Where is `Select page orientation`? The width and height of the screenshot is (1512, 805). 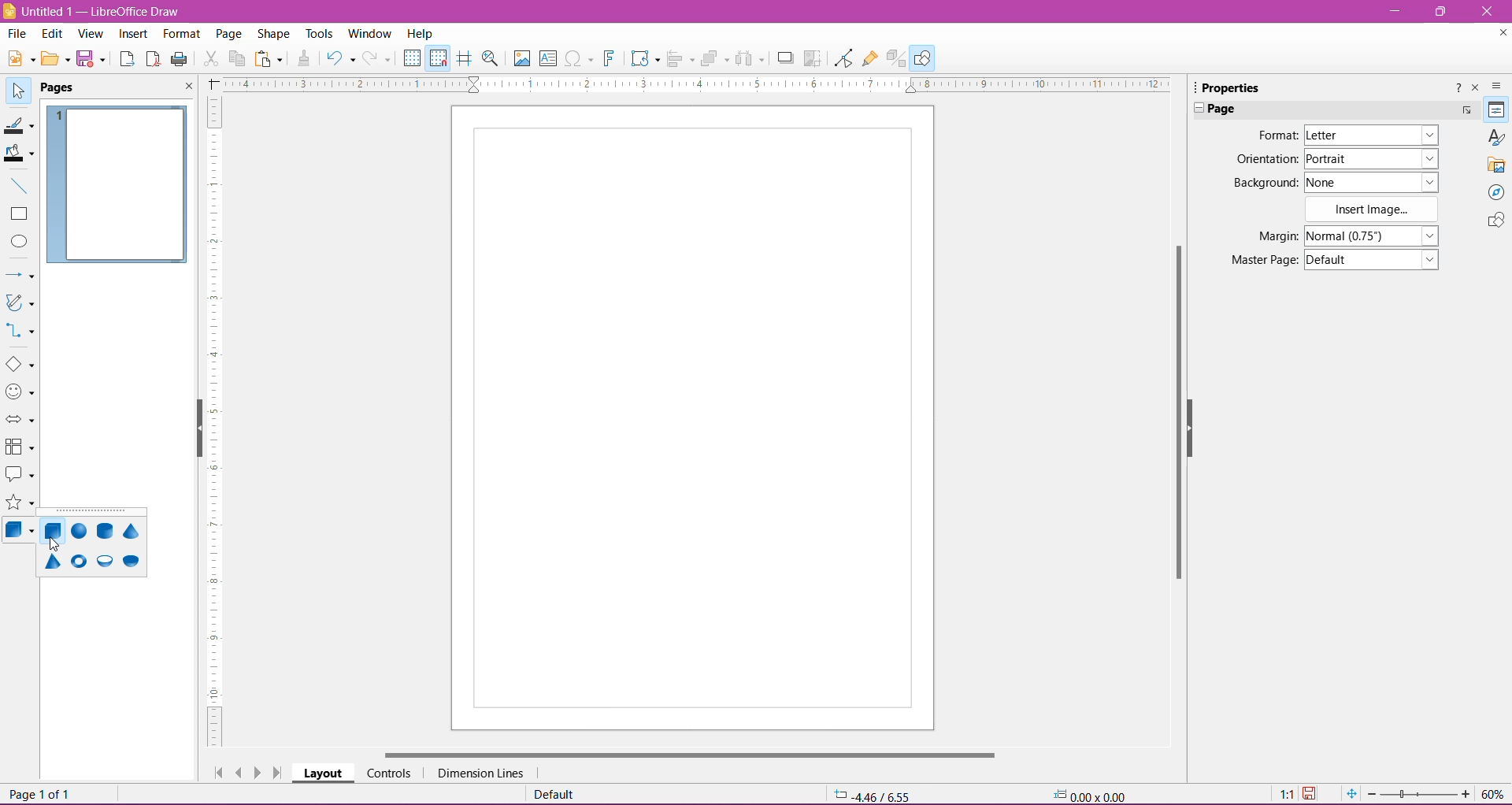 Select page orientation is located at coordinates (1374, 158).